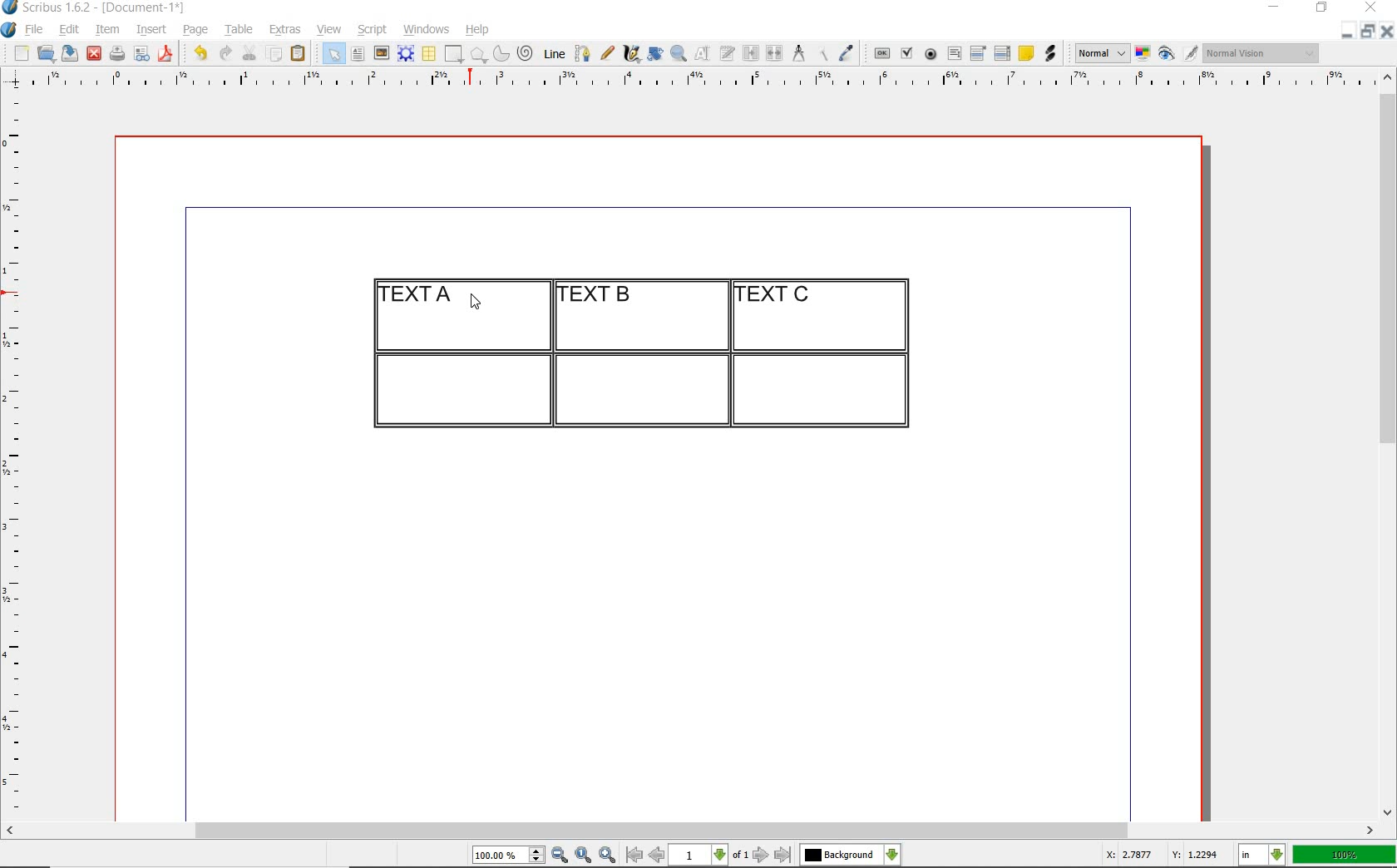  Describe the element at coordinates (19, 53) in the screenshot. I see `new` at that location.